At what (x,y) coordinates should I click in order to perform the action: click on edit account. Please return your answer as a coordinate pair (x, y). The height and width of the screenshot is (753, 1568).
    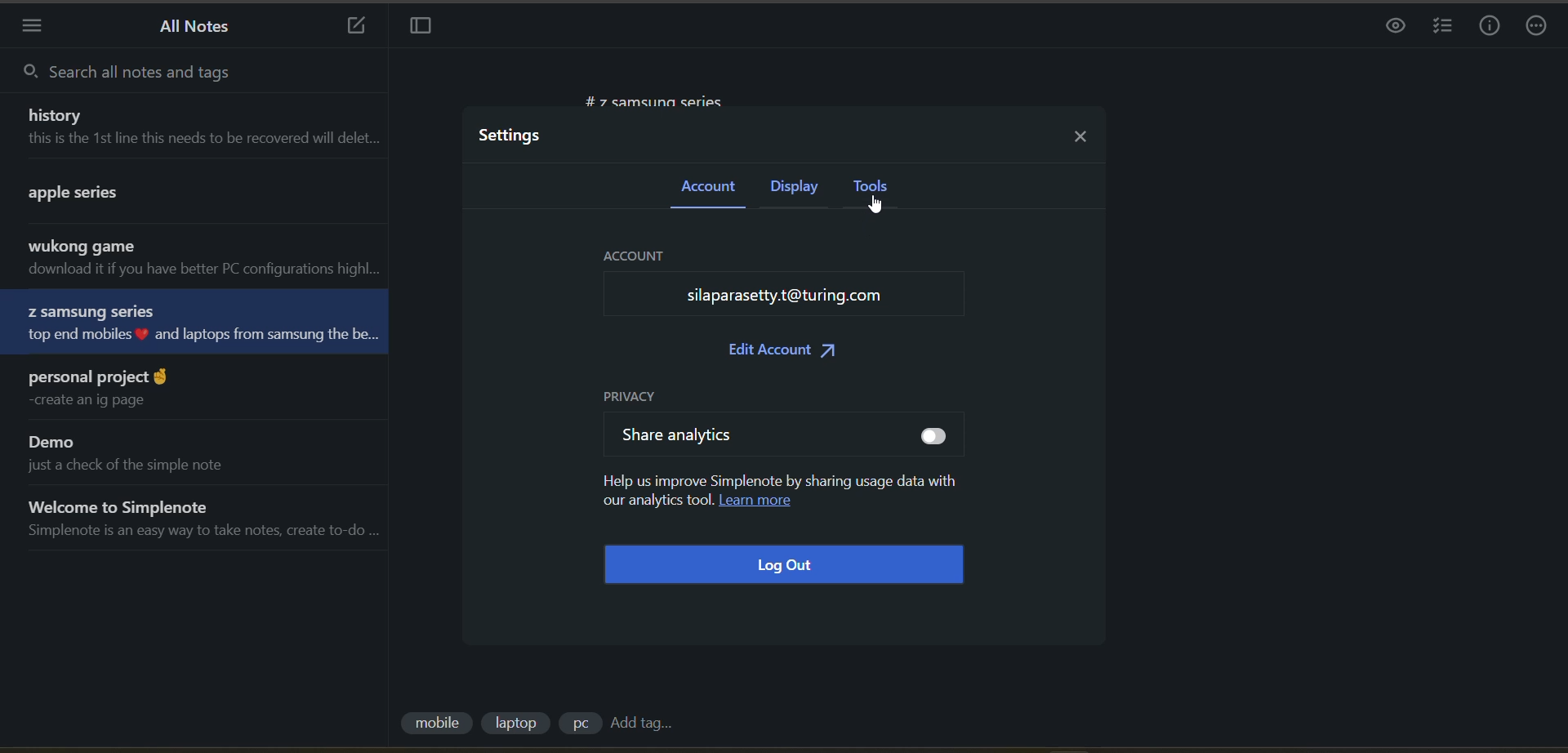
    Looking at the image, I should click on (782, 351).